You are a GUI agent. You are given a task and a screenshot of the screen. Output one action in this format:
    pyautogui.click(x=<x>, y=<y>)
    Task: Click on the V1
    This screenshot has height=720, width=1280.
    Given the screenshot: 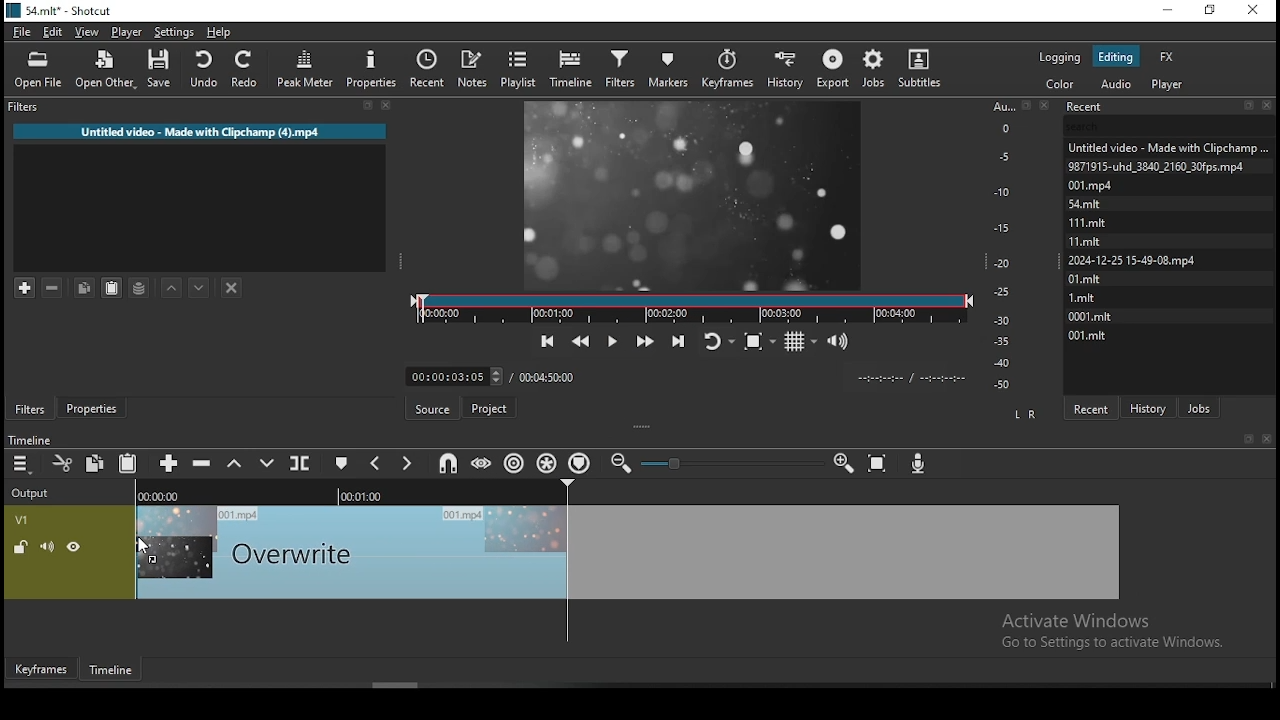 What is the action you would take?
    pyautogui.click(x=22, y=521)
    